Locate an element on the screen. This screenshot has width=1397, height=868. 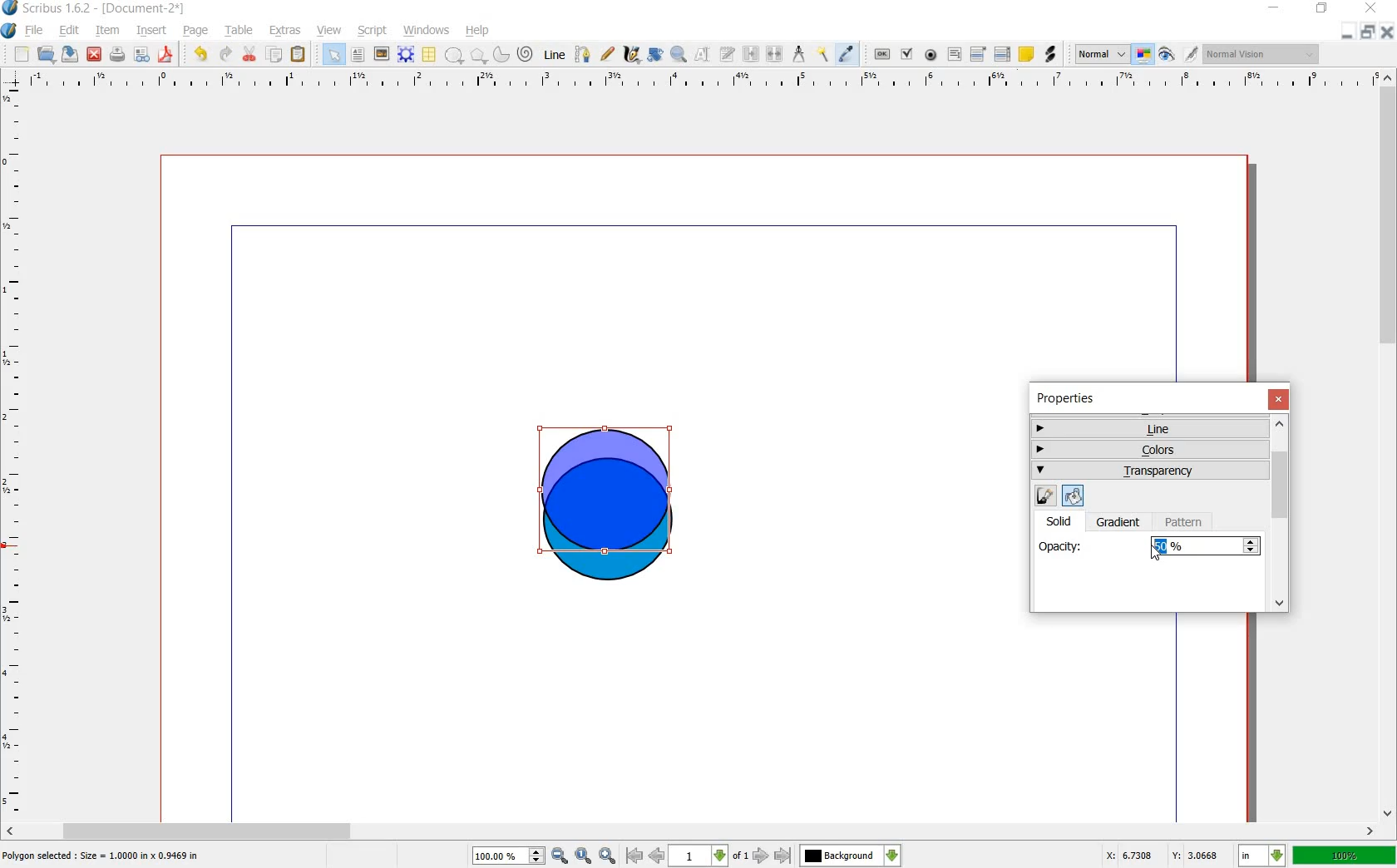
opacity is located at coordinates (1061, 545).